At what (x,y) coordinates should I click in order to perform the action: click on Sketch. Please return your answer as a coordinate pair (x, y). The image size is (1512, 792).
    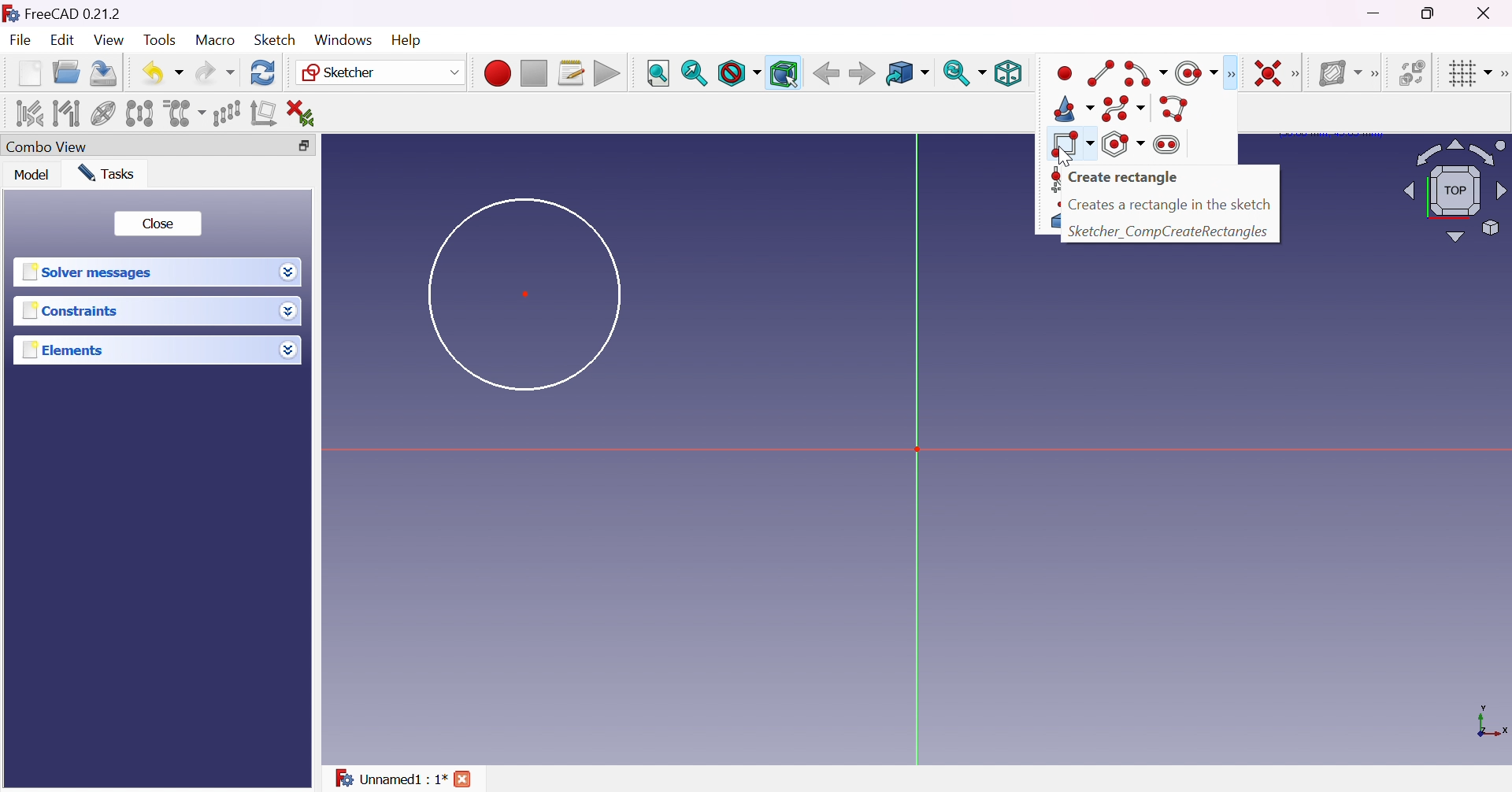
    Looking at the image, I should click on (274, 39).